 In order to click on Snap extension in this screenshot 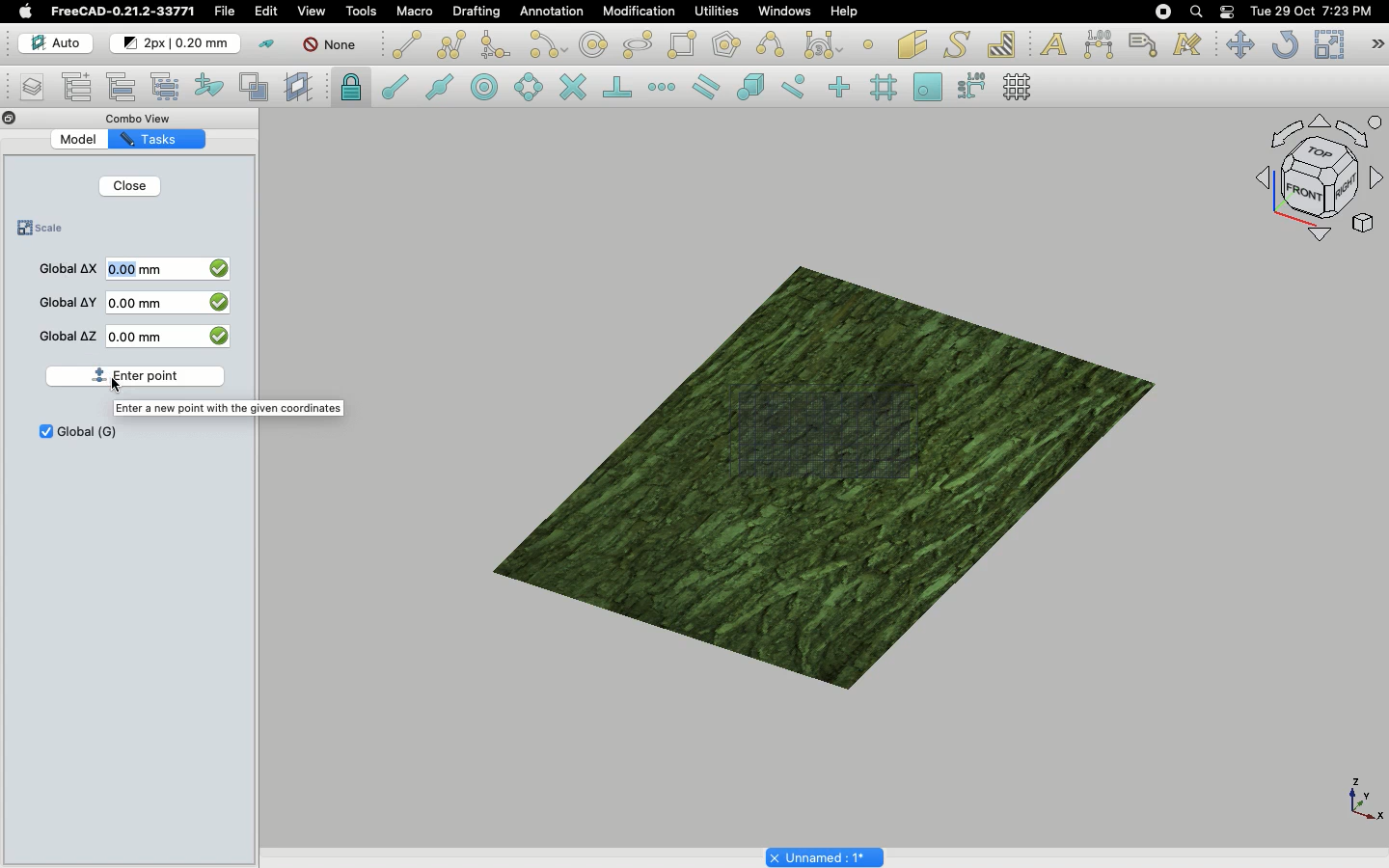, I will do `click(662, 88)`.